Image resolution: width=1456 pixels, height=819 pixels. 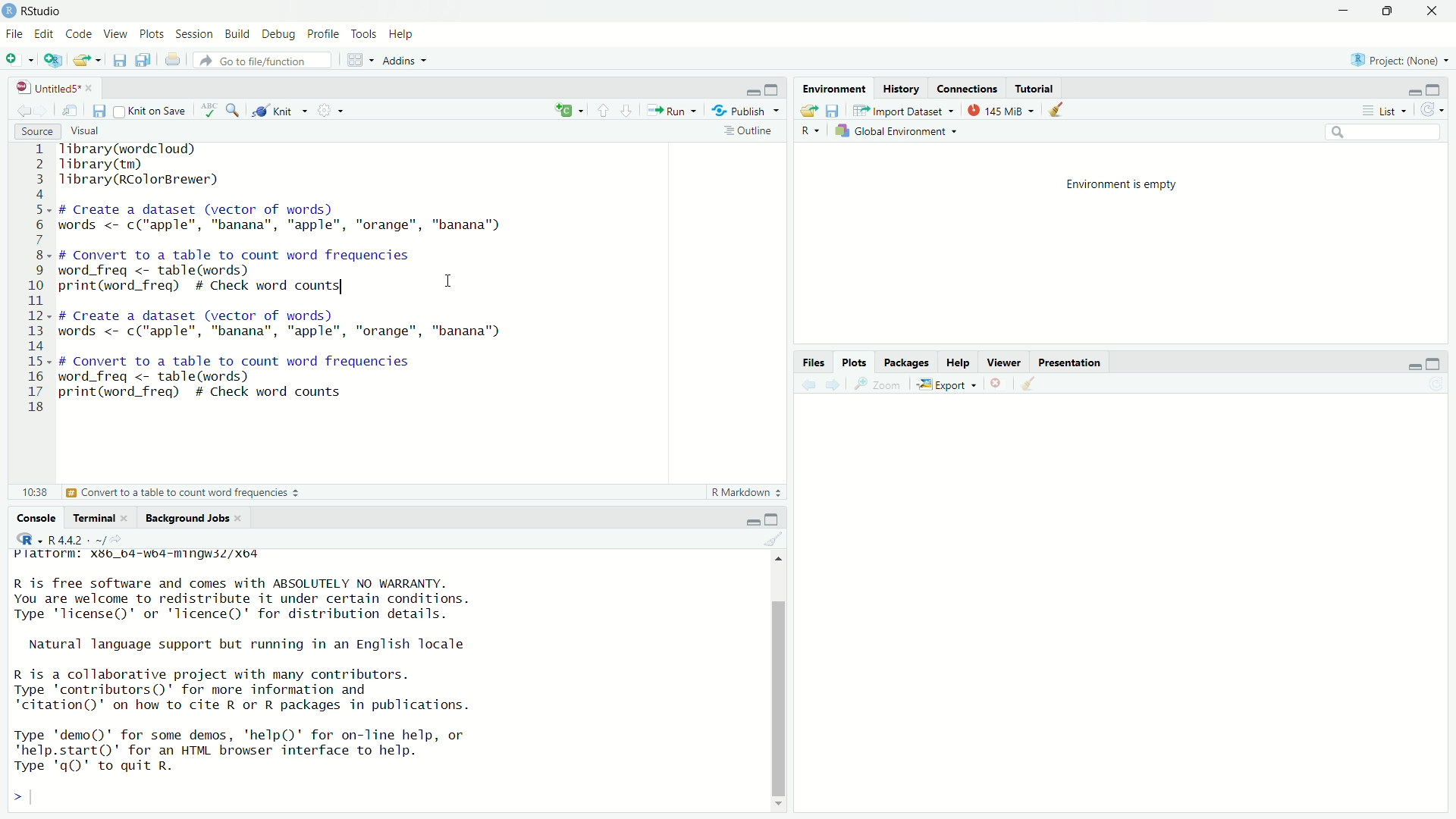 What do you see at coordinates (20, 58) in the screenshot?
I see `New file` at bounding box center [20, 58].